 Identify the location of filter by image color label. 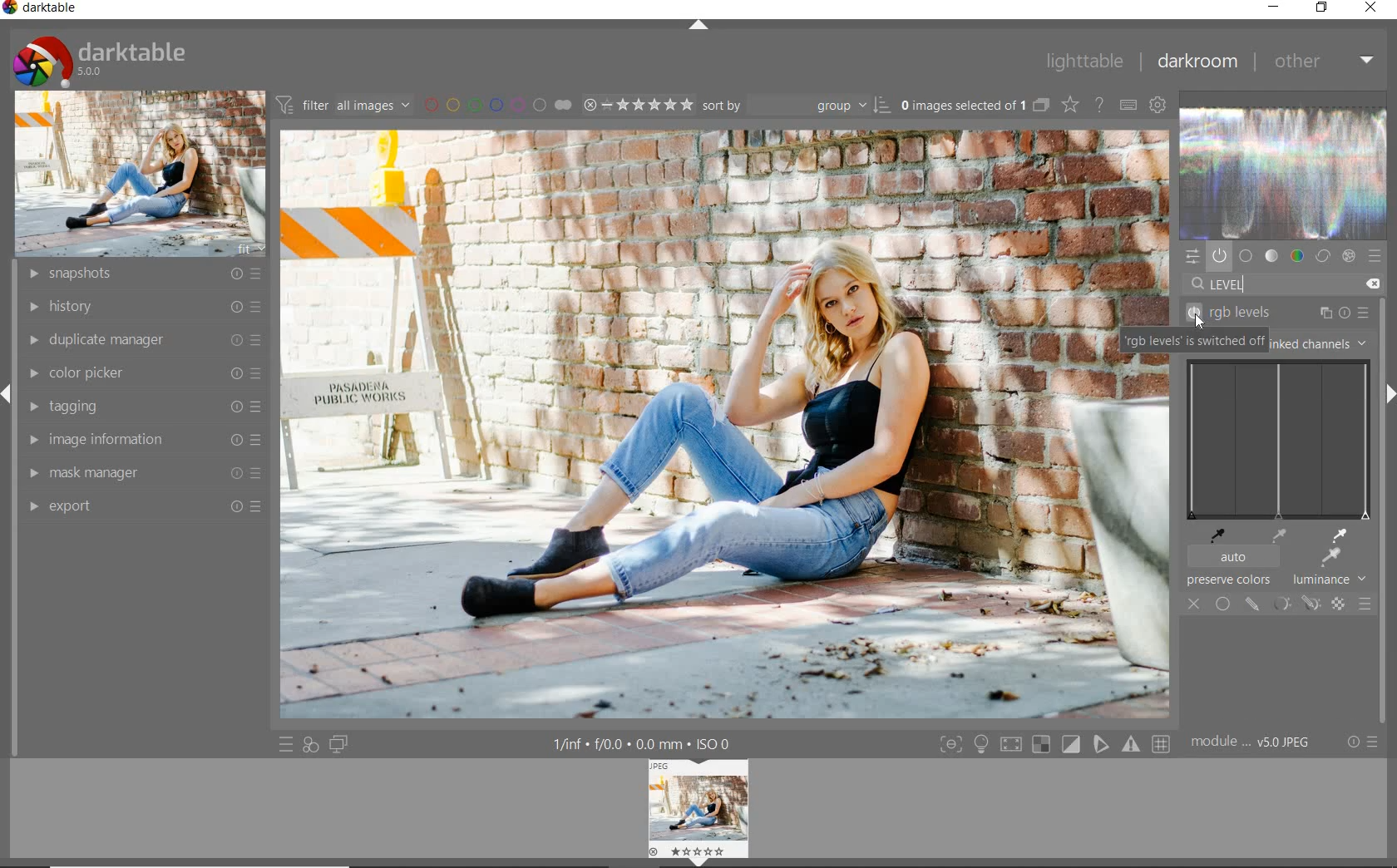
(497, 103).